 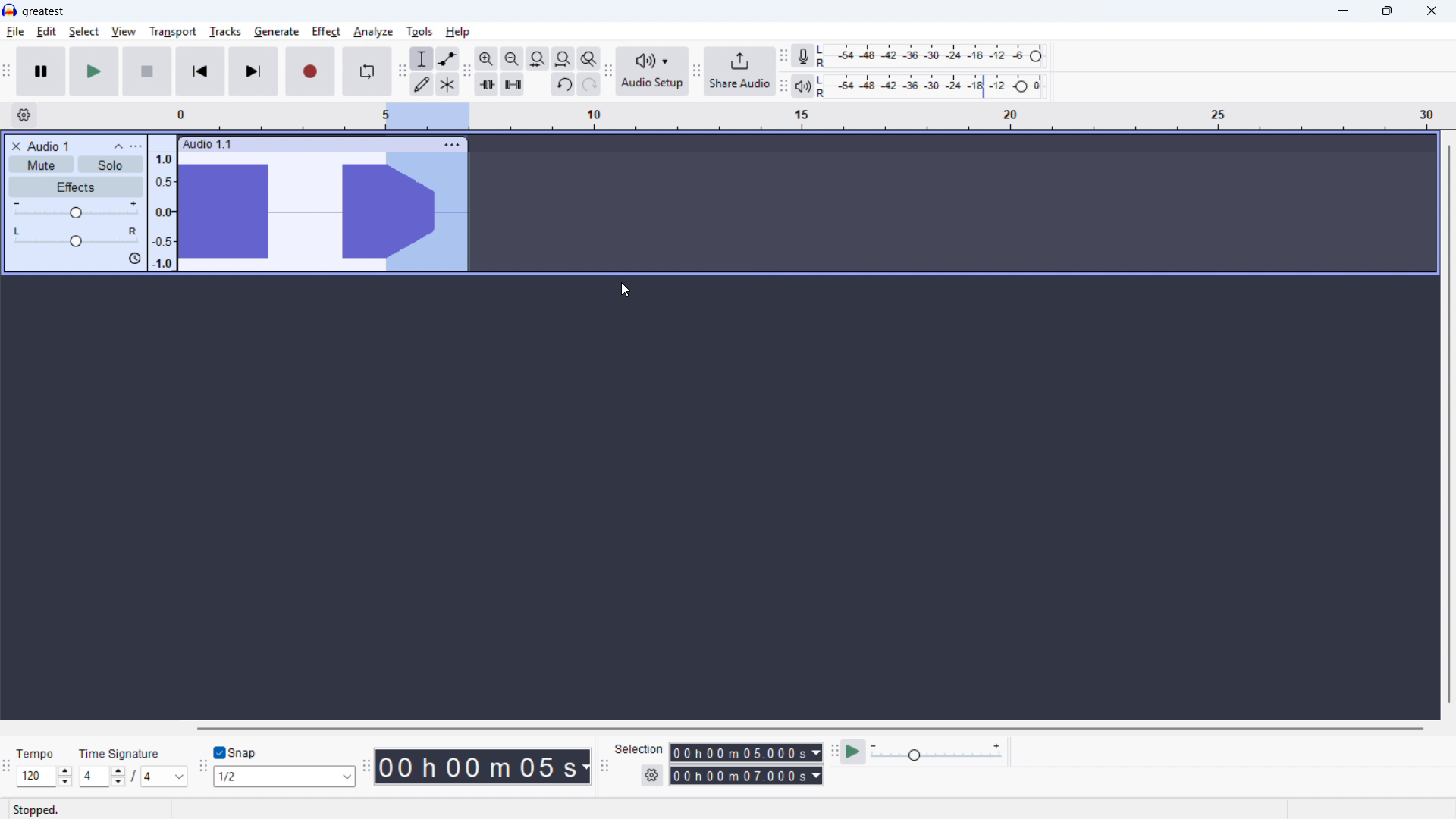 What do you see at coordinates (1345, 11) in the screenshot?
I see `minimise ` at bounding box center [1345, 11].